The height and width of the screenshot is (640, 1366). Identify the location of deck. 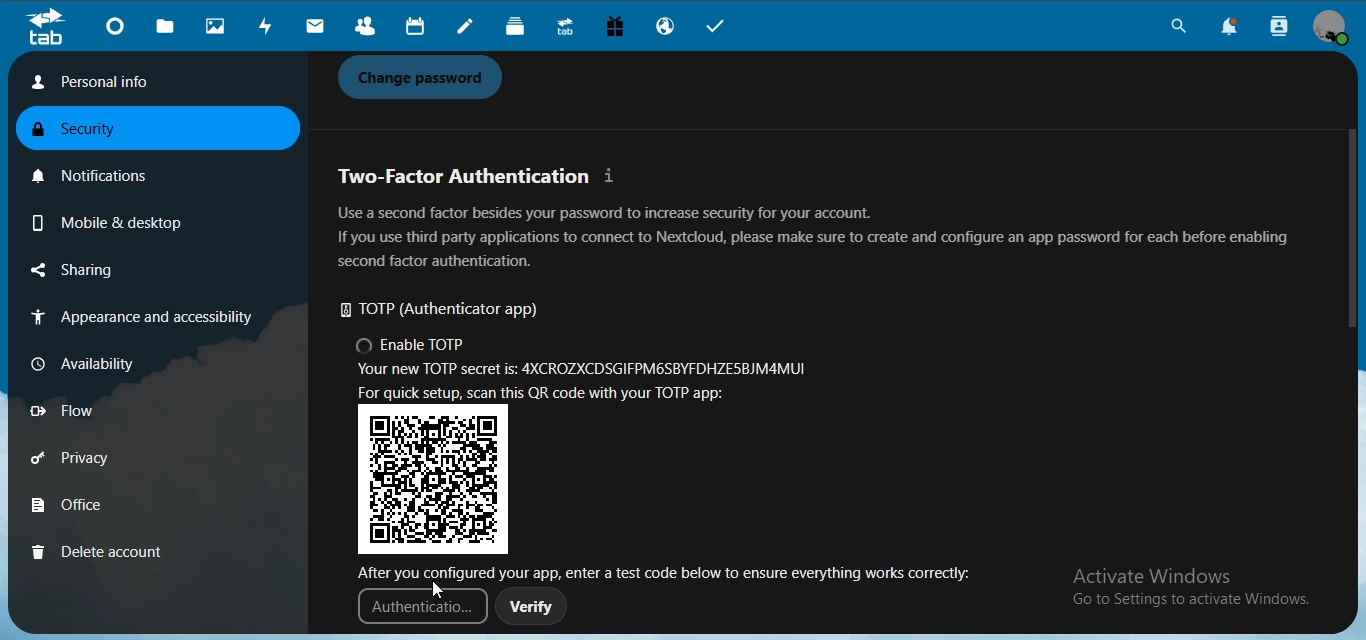
(520, 28).